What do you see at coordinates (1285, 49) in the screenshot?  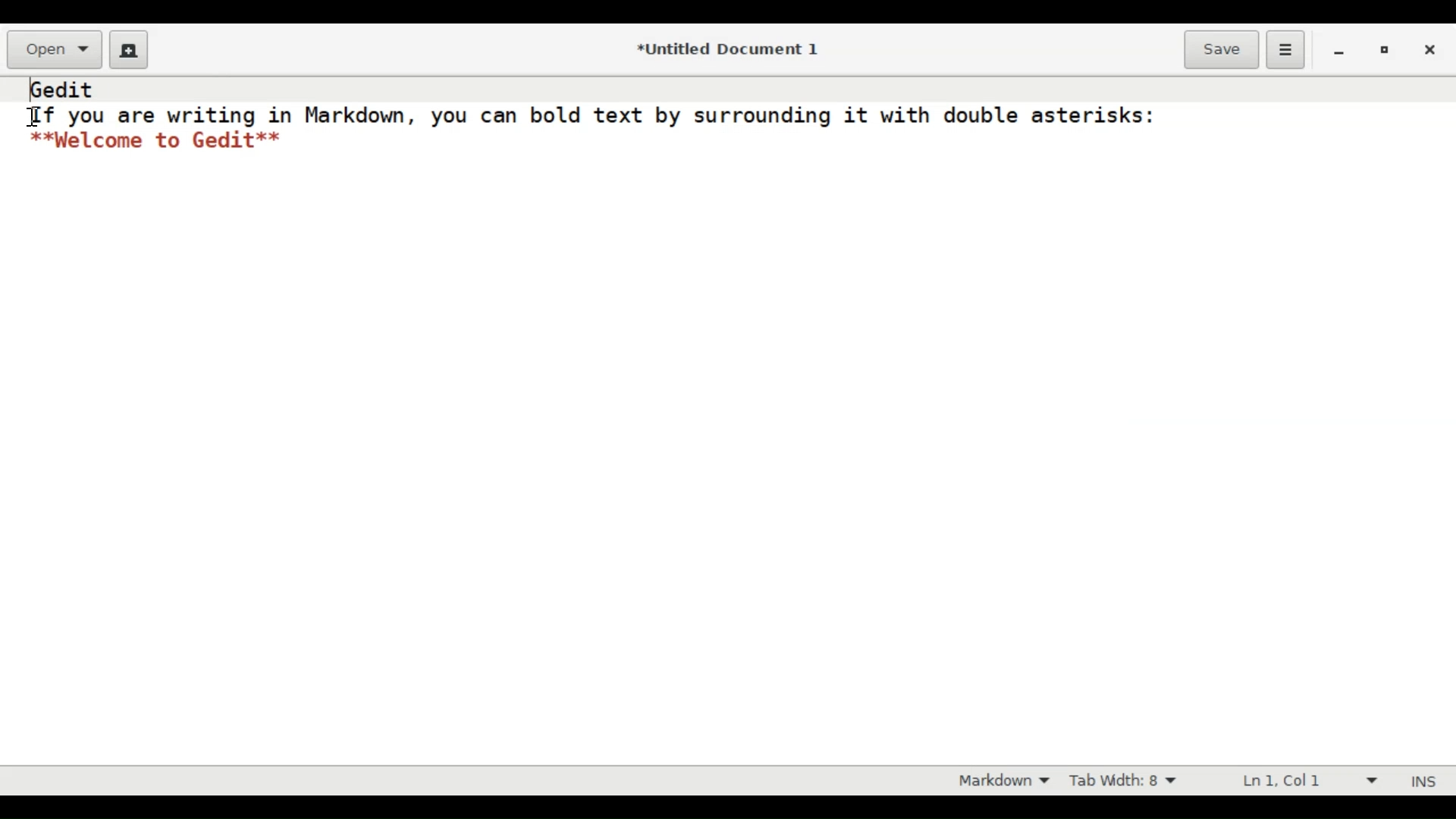 I see `Application menu` at bounding box center [1285, 49].